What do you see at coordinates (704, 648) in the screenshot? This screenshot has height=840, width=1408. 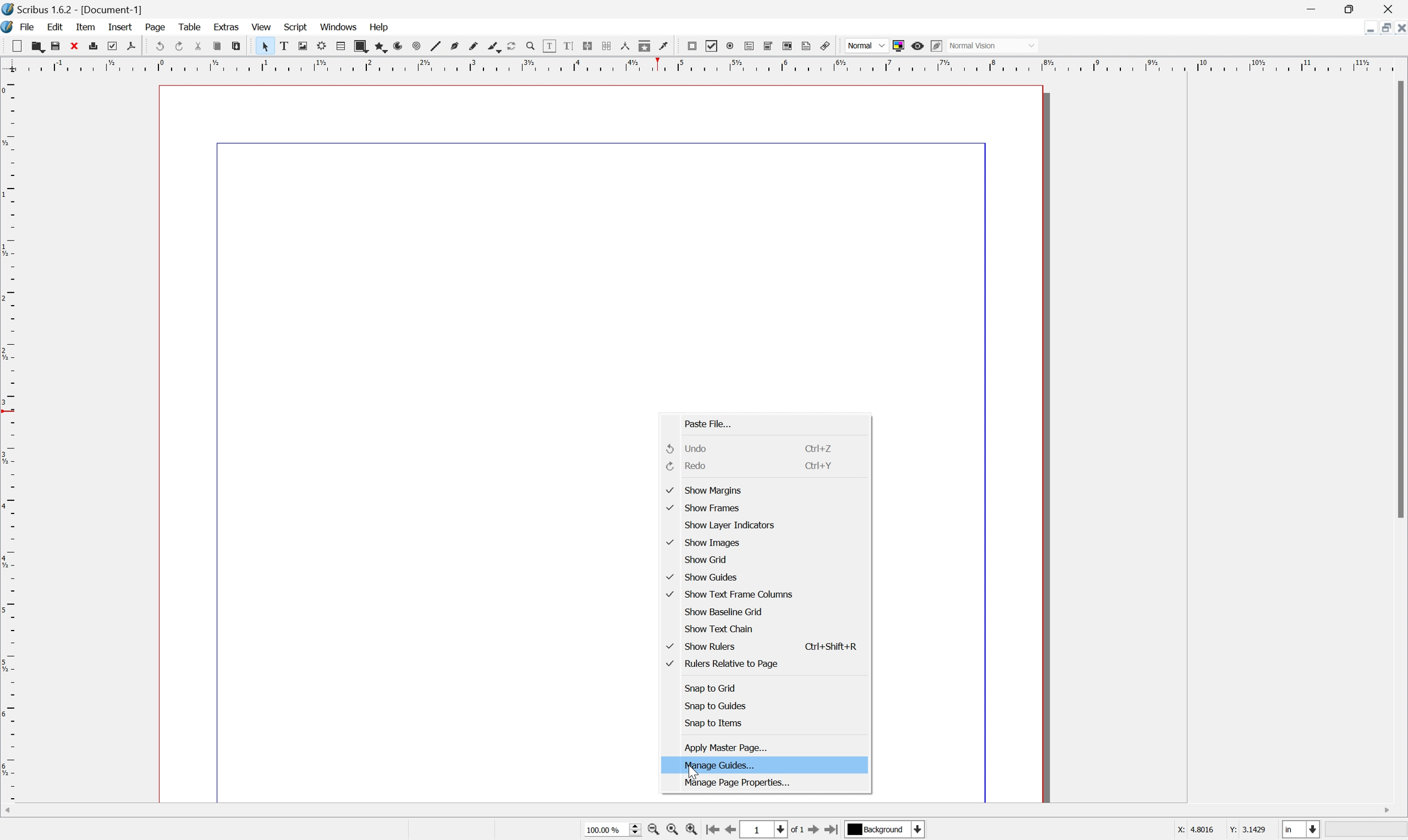 I see `show rulers` at bounding box center [704, 648].